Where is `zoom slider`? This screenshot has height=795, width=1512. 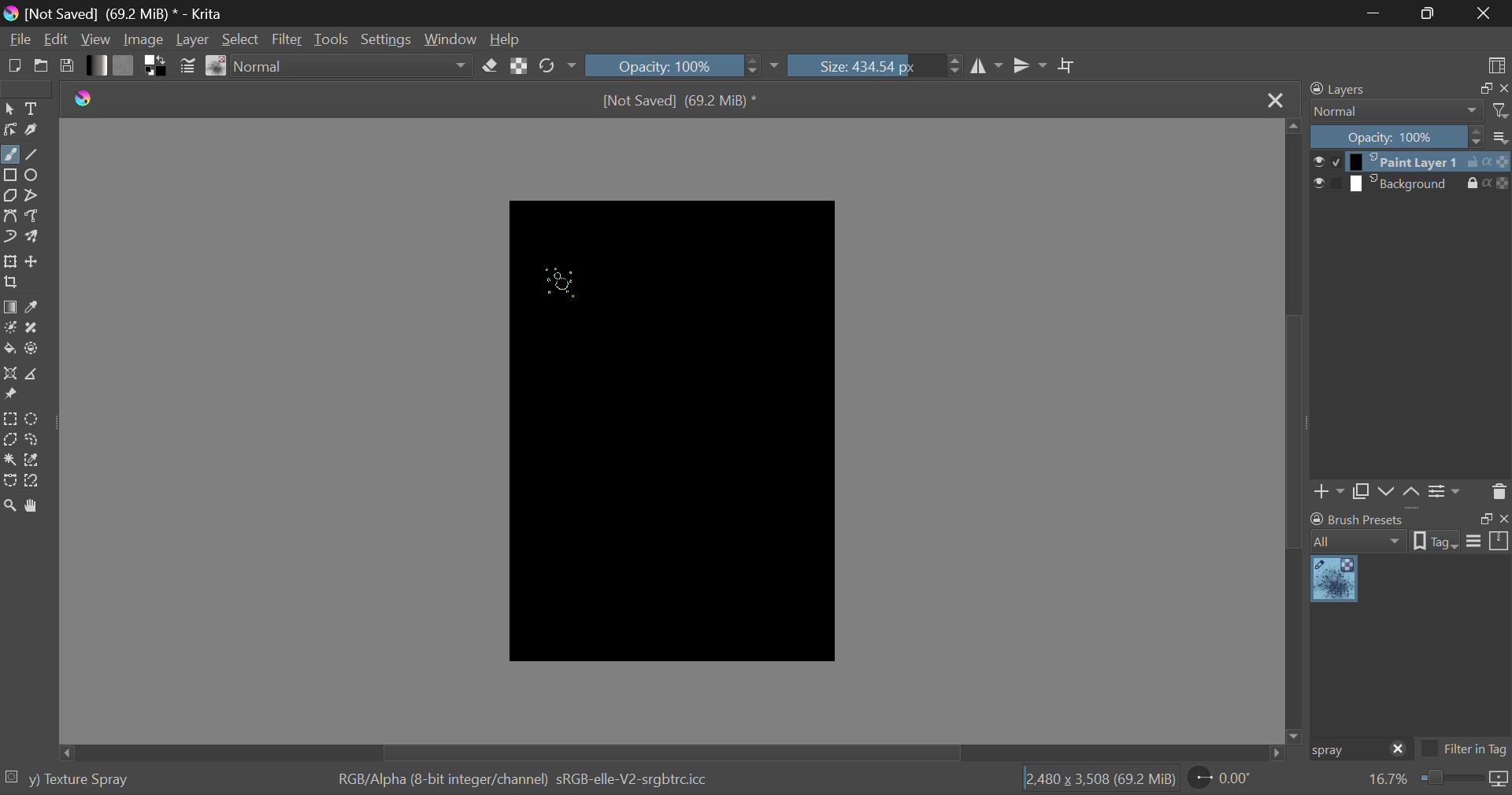 zoom slider is located at coordinates (1450, 779).